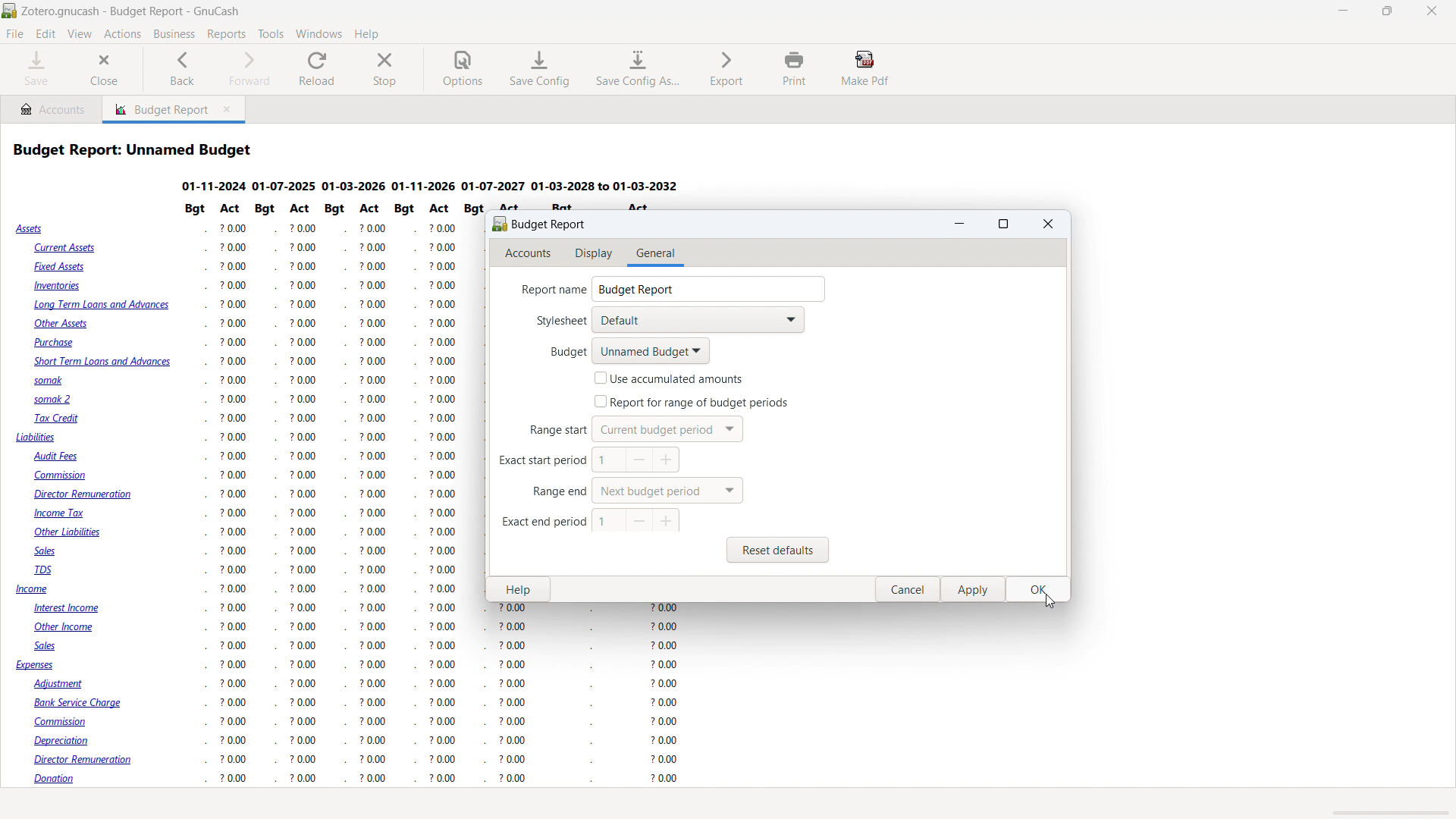 The height and width of the screenshot is (819, 1456). I want to click on report name, so click(708, 289).